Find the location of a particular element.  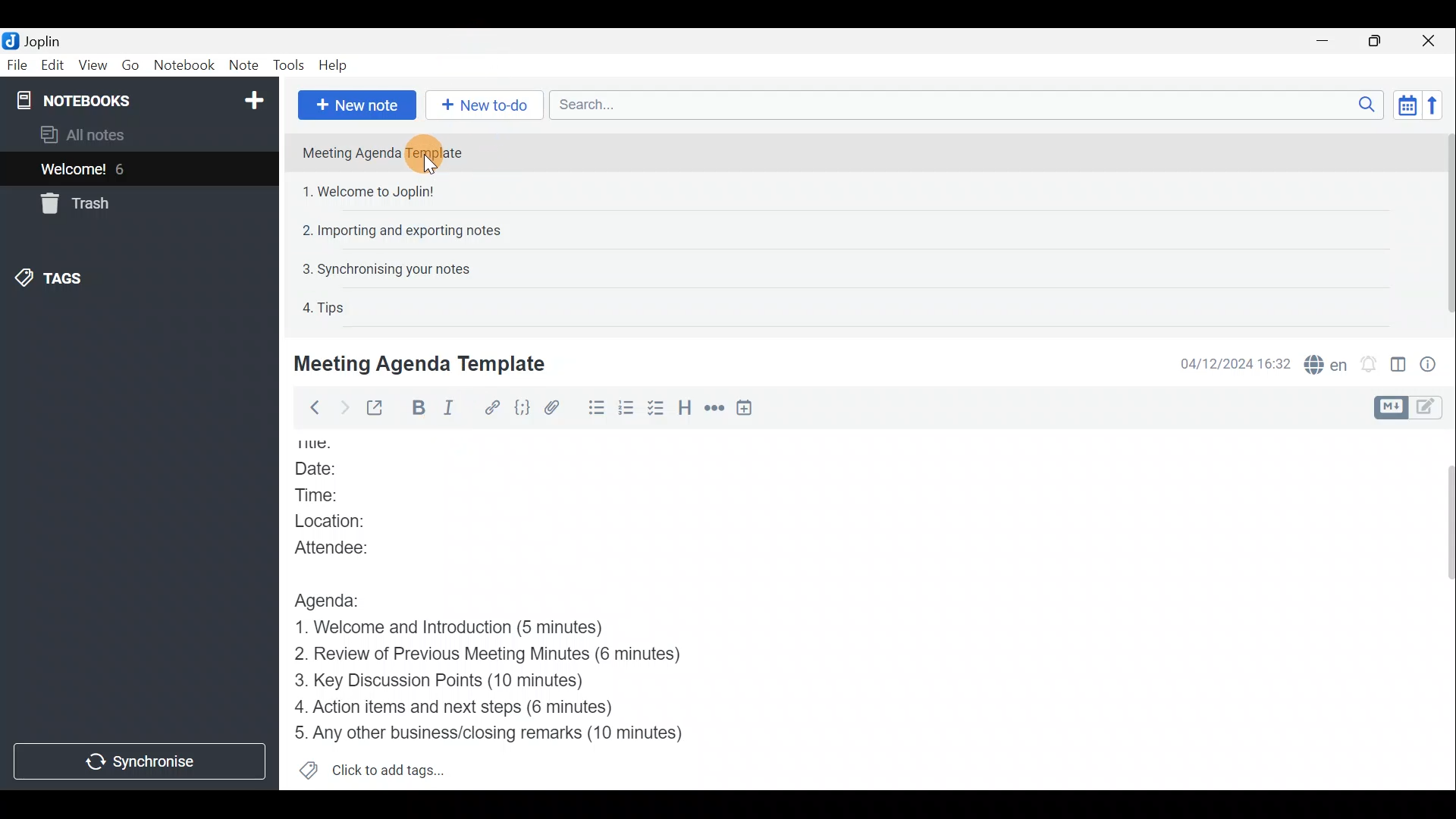

Key Discussion Points (10 minutes) is located at coordinates (445, 682).